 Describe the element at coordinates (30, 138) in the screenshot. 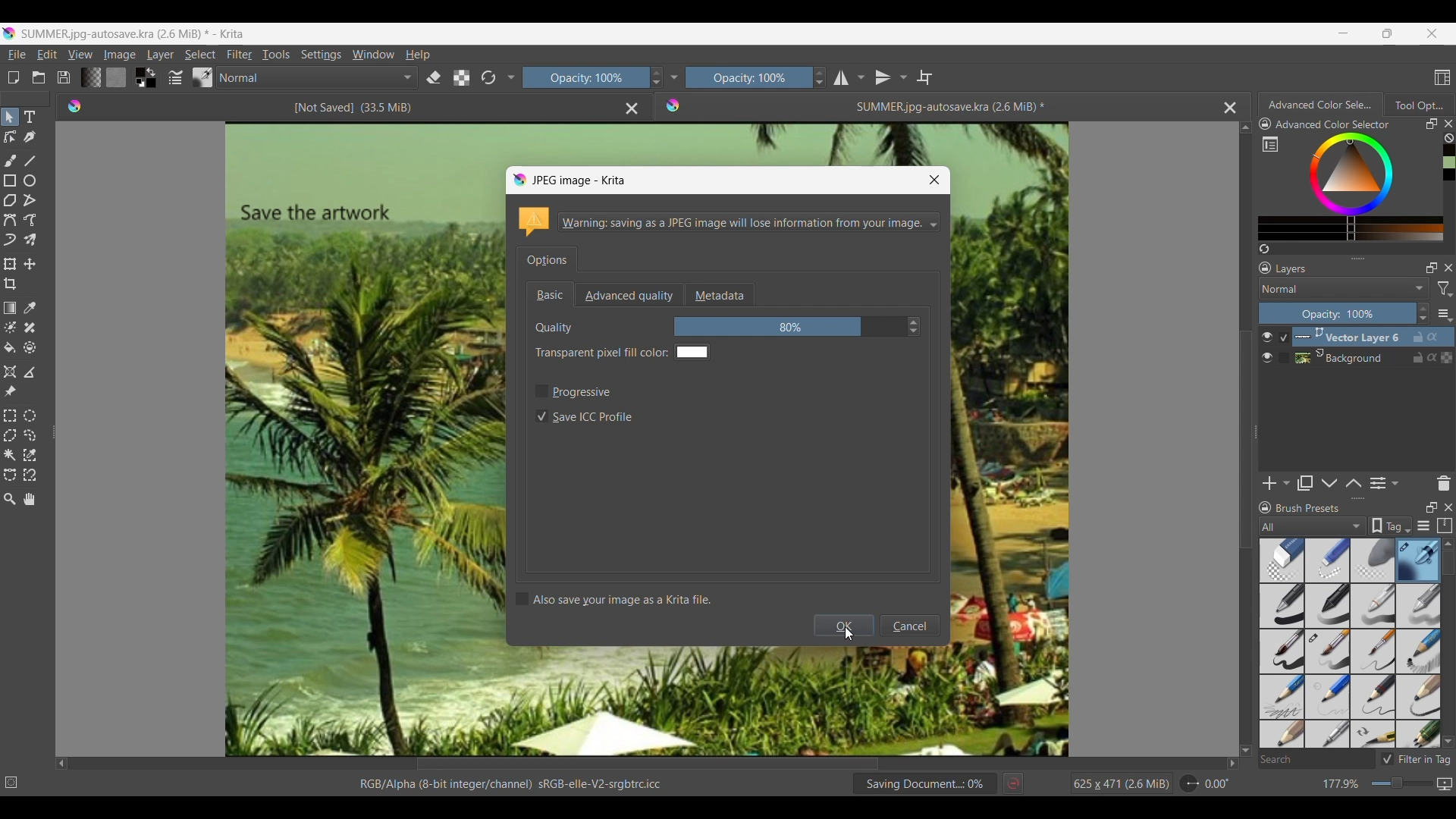

I see `Calligraphy` at that location.